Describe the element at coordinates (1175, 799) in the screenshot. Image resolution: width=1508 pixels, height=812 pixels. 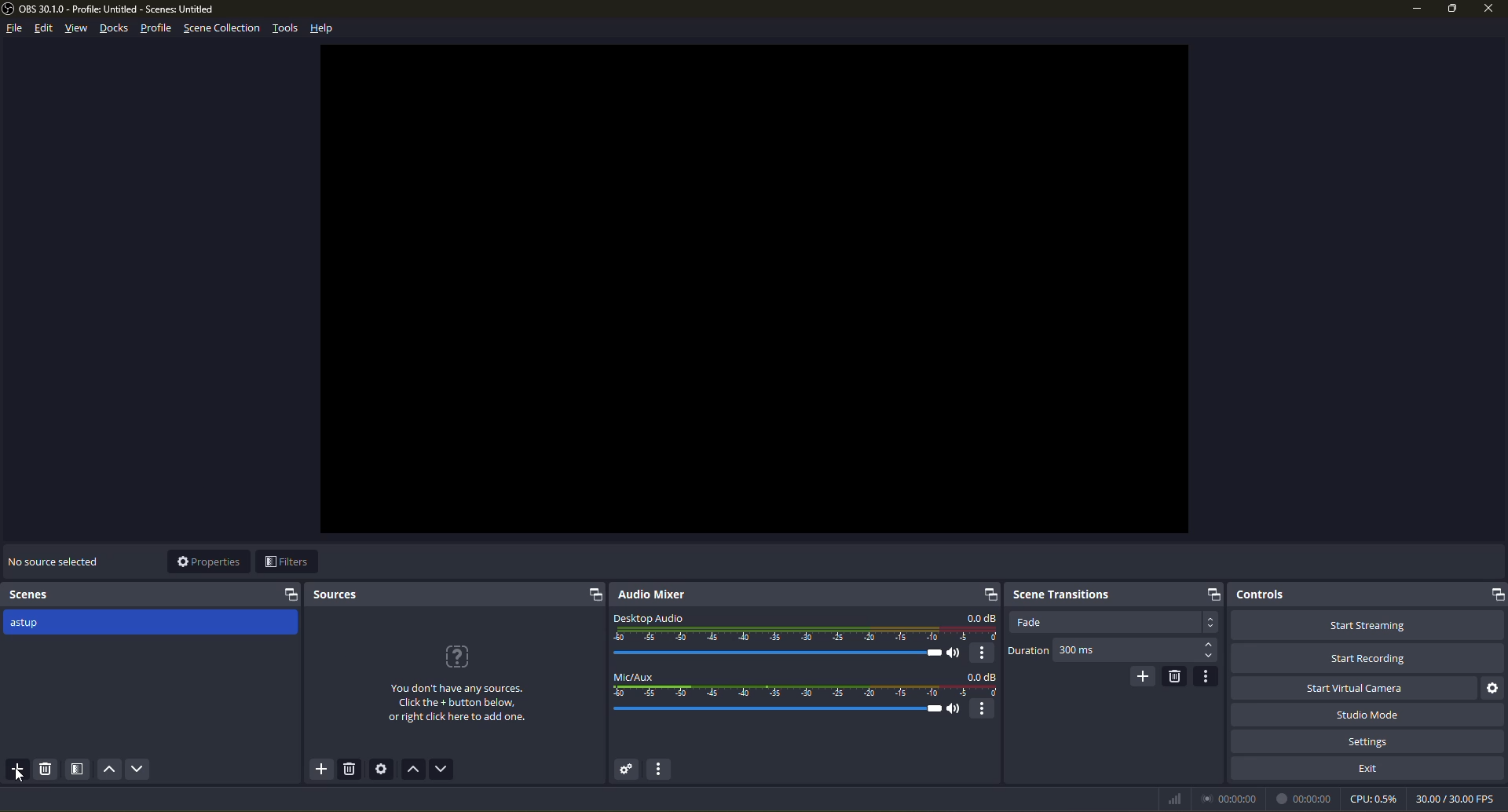
I see `network` at that location.